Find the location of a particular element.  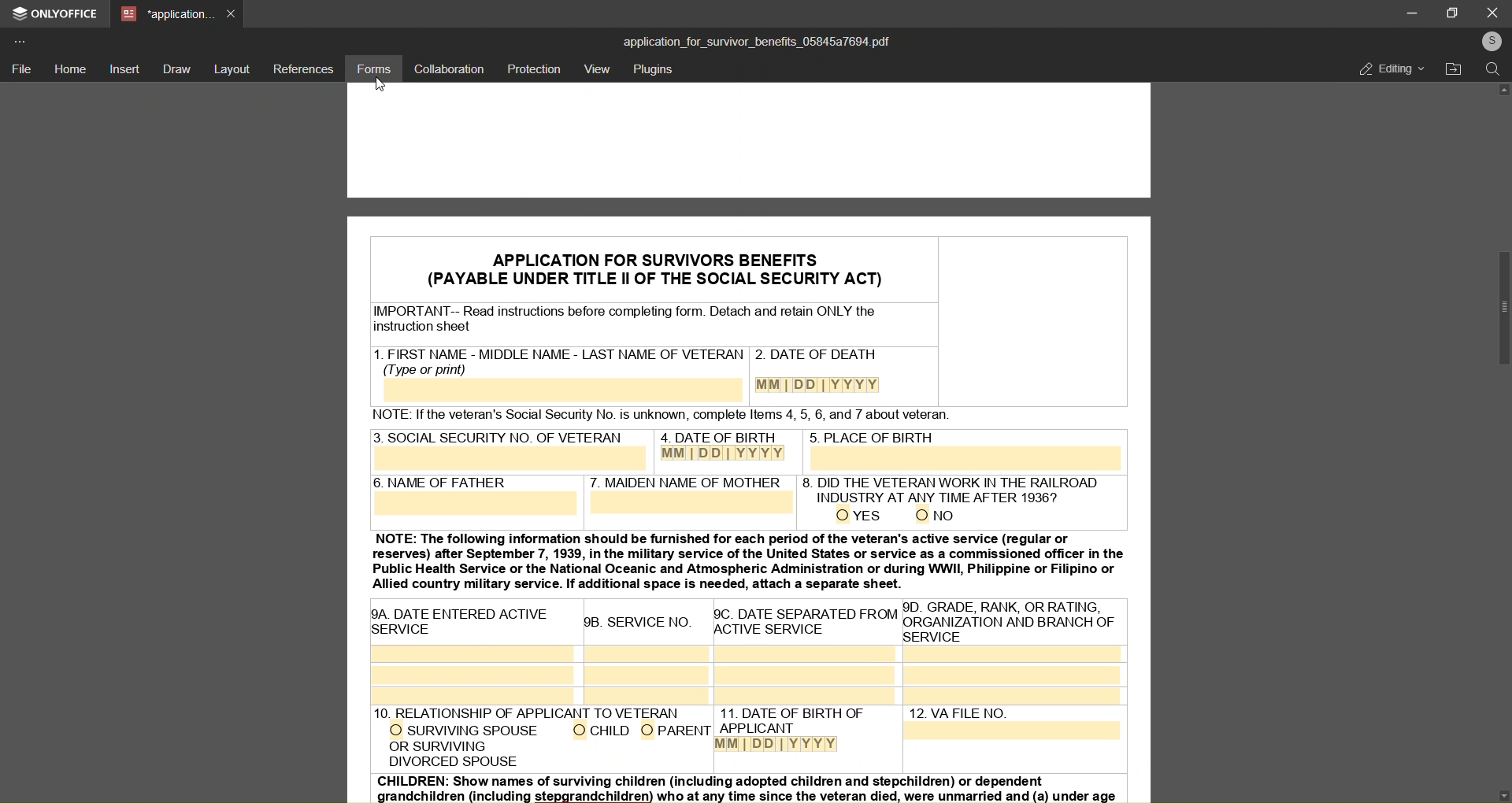

home is located at coordinates (71, 68).